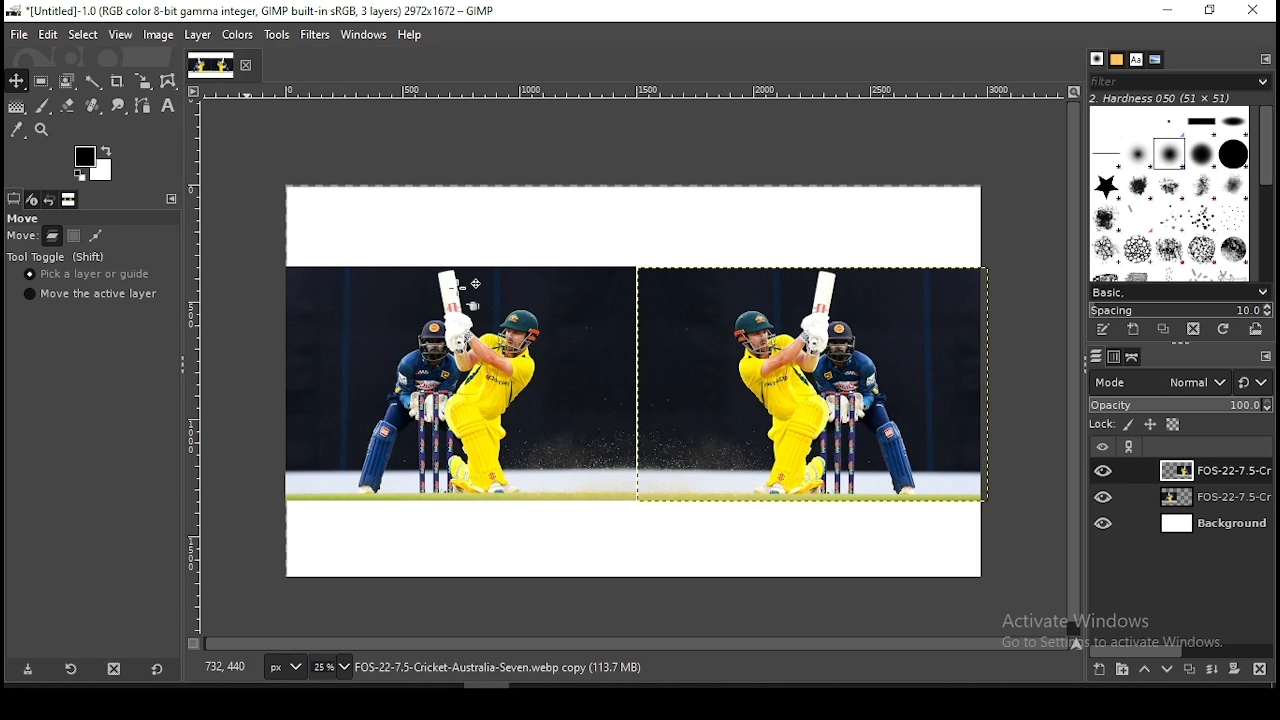 Image resolution: width=1280 pixels, height=720 pixels. What do you see at coordinates (1171, 192) in the screenshot?
I see `Designs` at bounding box center [1171, 192].